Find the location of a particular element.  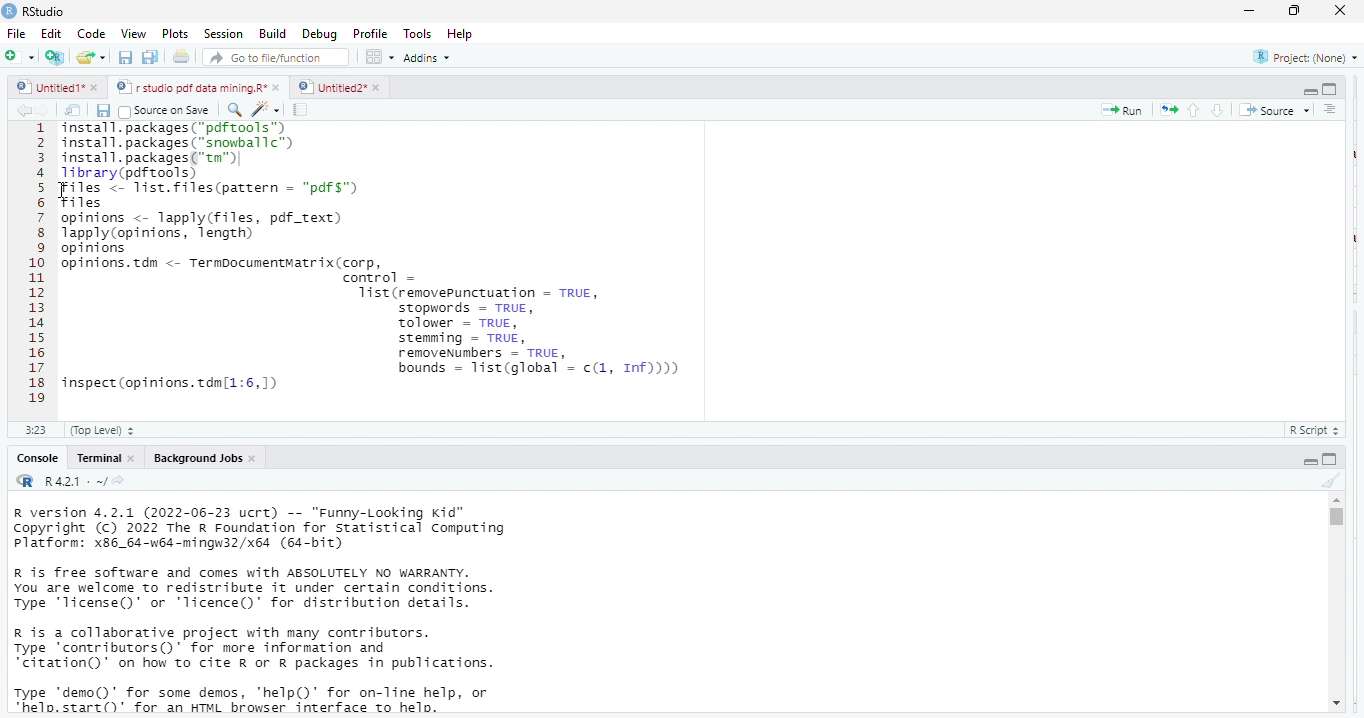

find /replace is located at coordinates (234, 109).